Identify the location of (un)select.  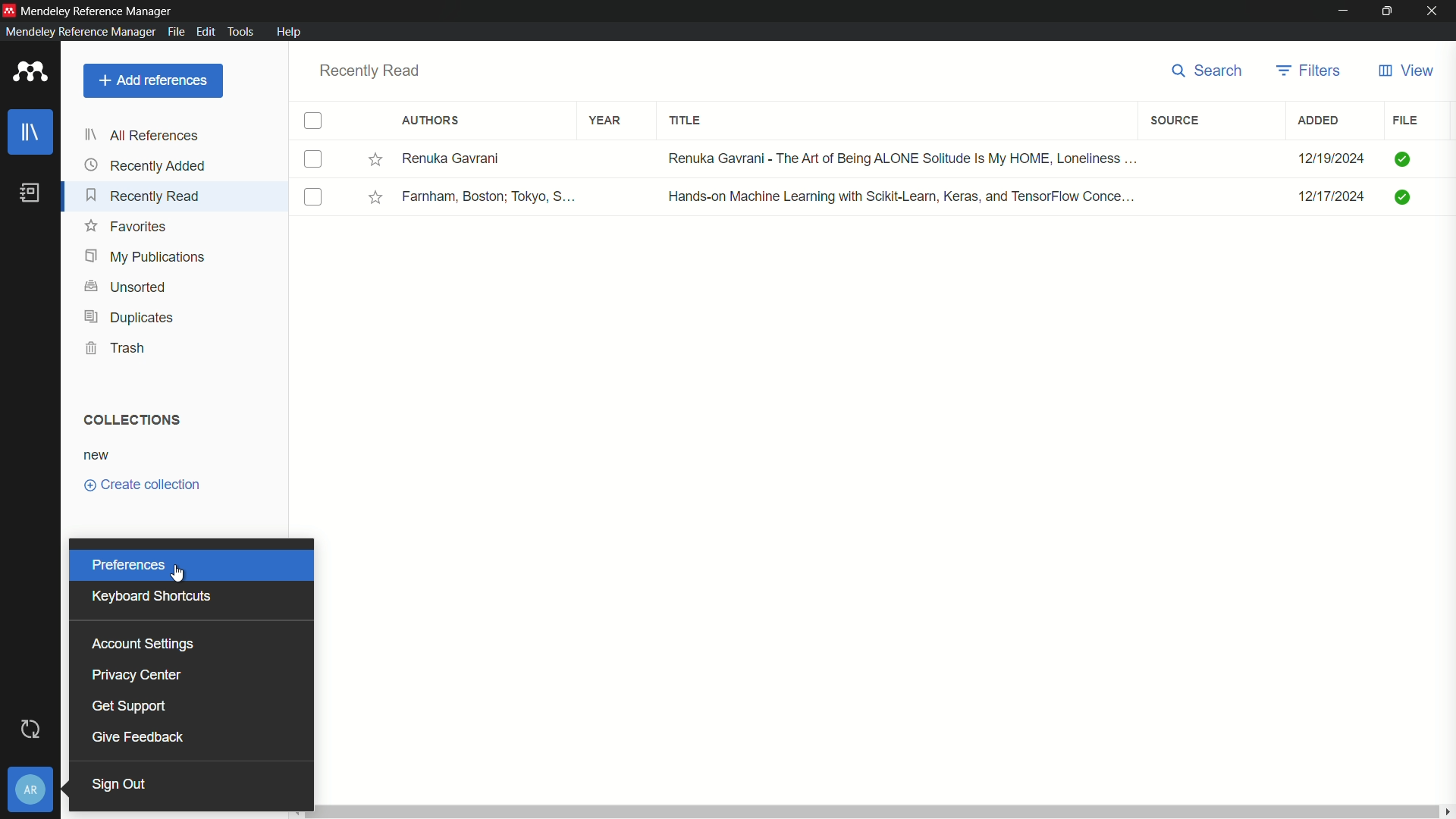
(312, 196).